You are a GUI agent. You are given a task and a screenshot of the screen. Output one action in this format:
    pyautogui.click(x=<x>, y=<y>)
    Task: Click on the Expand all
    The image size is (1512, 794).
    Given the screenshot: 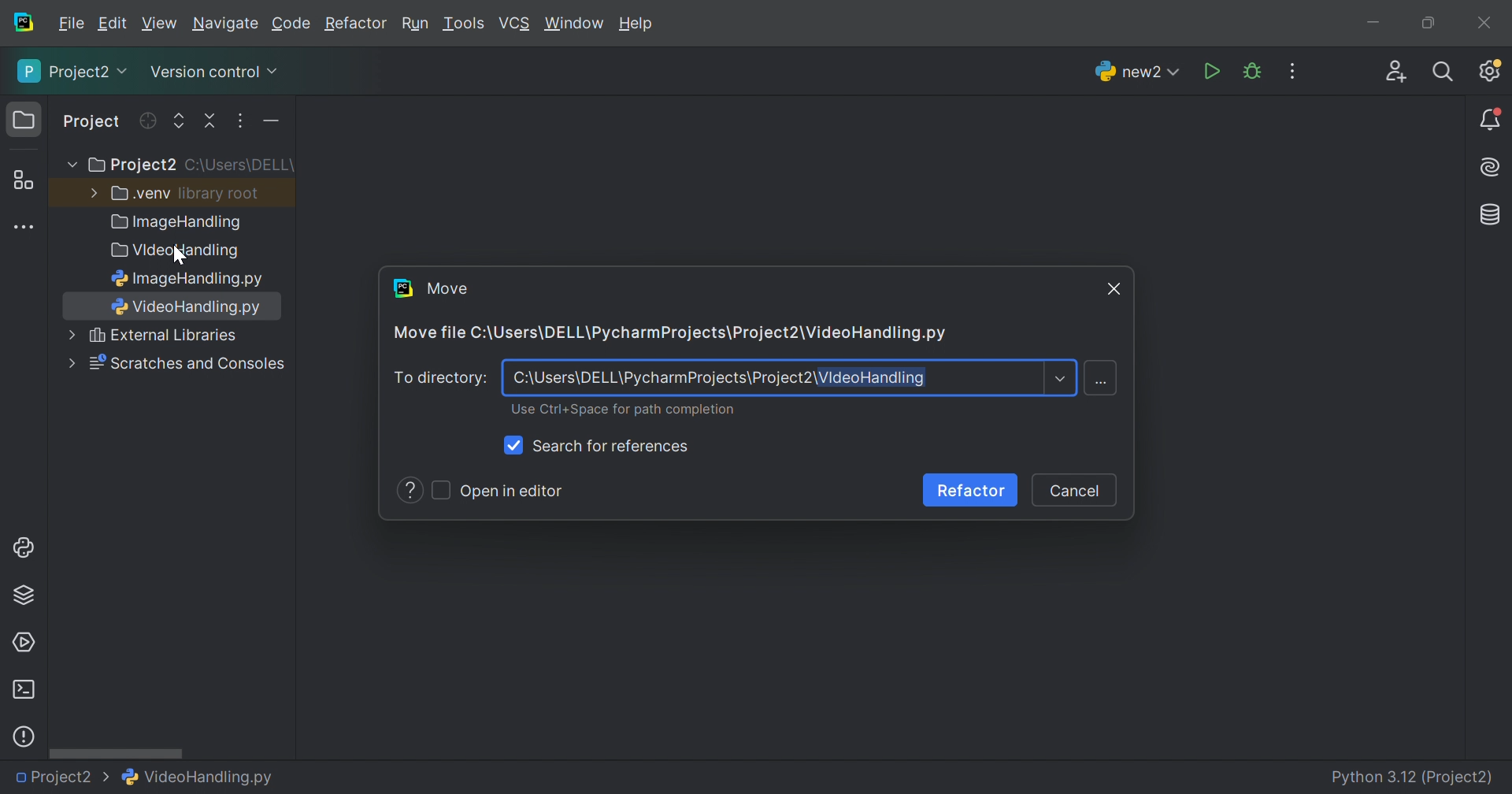 What is the action you would take?
    pyautogui.click(x=180, y=122)
    